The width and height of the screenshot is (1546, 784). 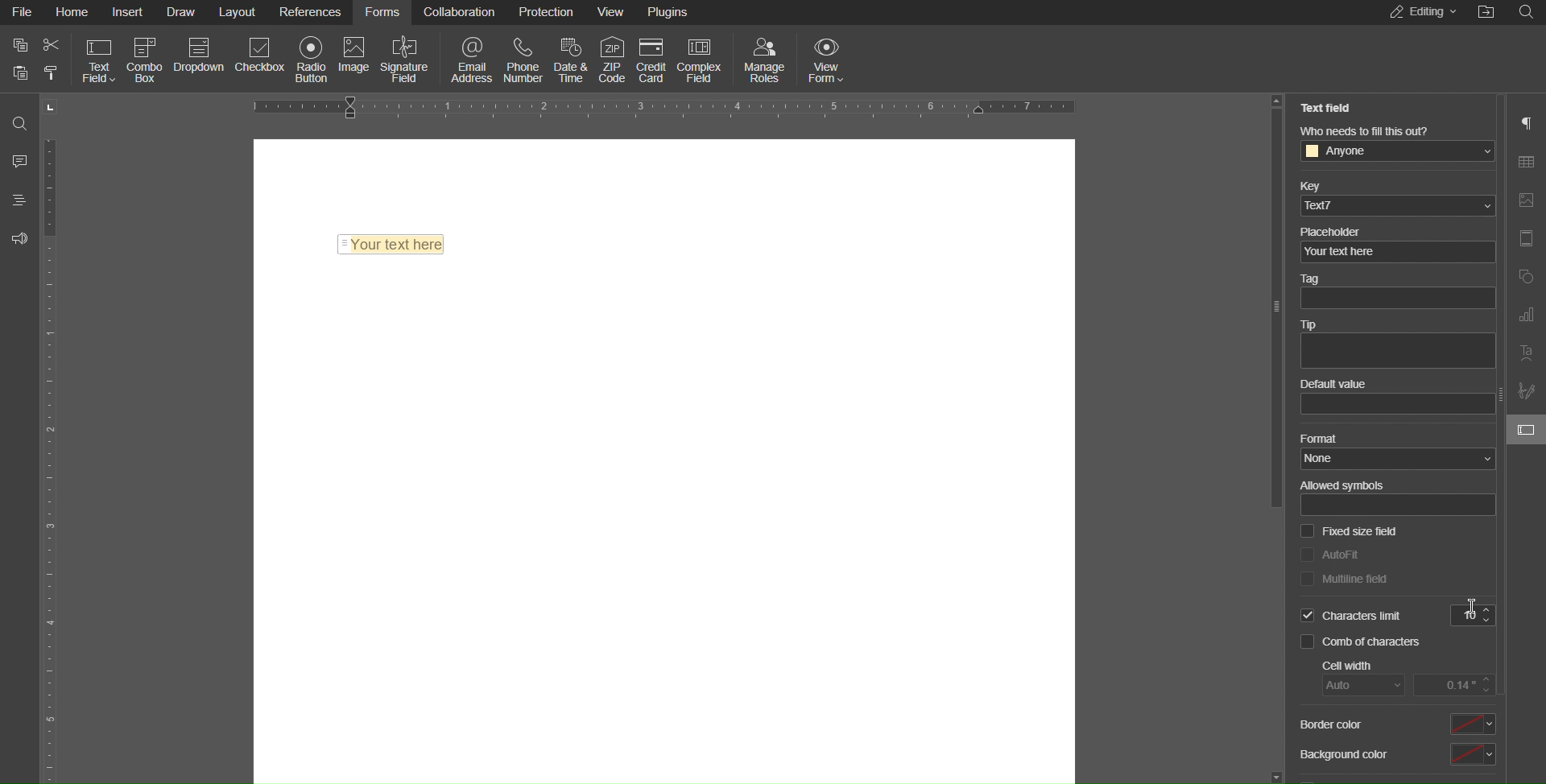 I want to click on Feedback and Support, so click(x=19, y=238).